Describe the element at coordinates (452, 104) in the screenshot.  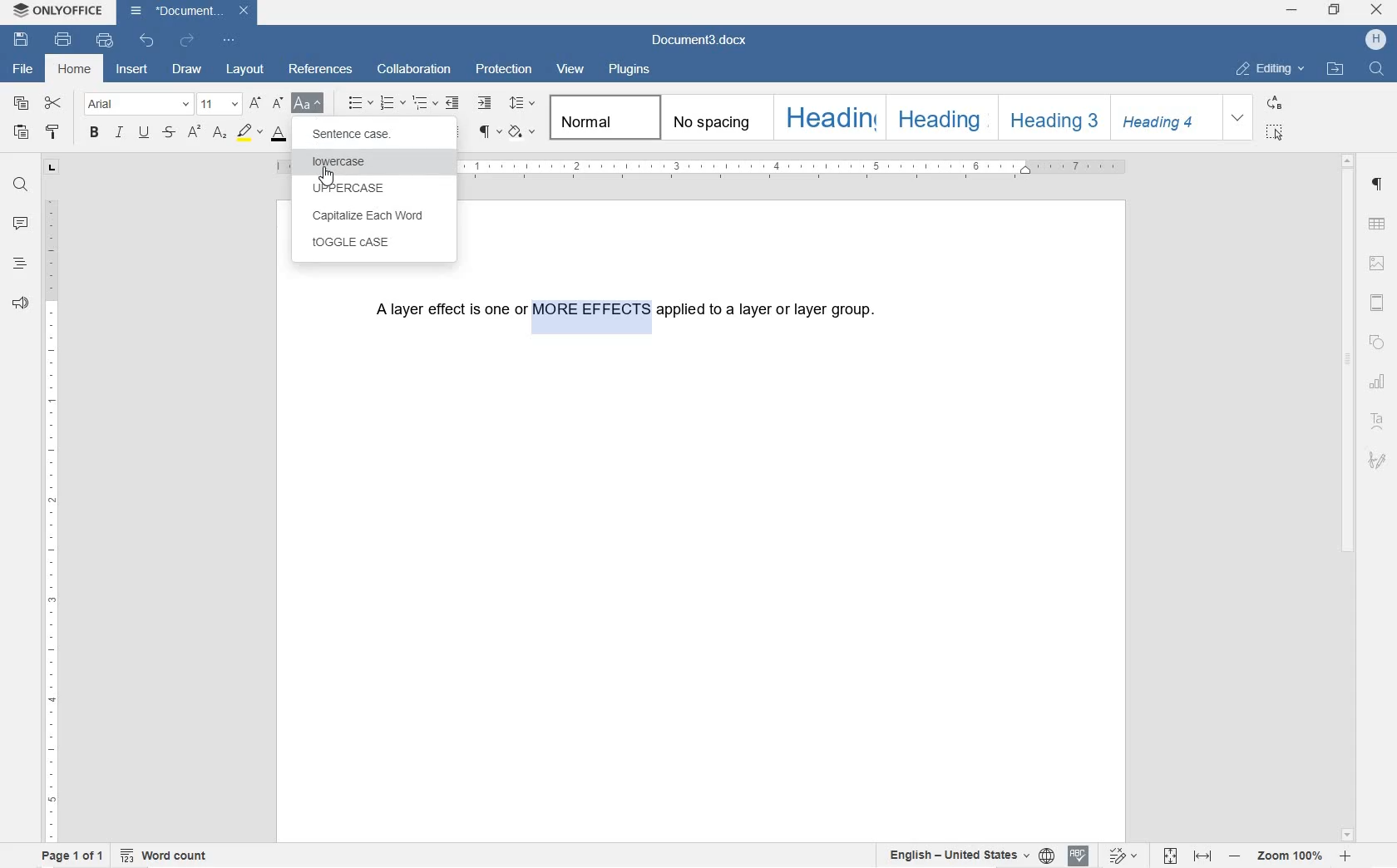
I see `DECREASE INDENT` at that location.